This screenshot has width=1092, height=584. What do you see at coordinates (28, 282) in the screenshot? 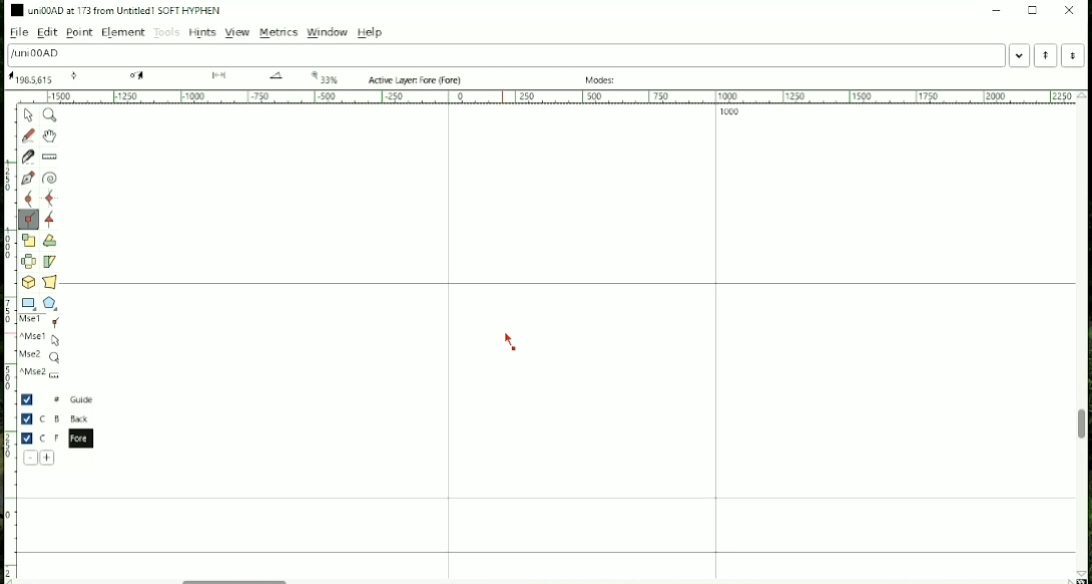
I see `Rotate the selection in 3D and project back to plane` at bounding box center [28, 282].